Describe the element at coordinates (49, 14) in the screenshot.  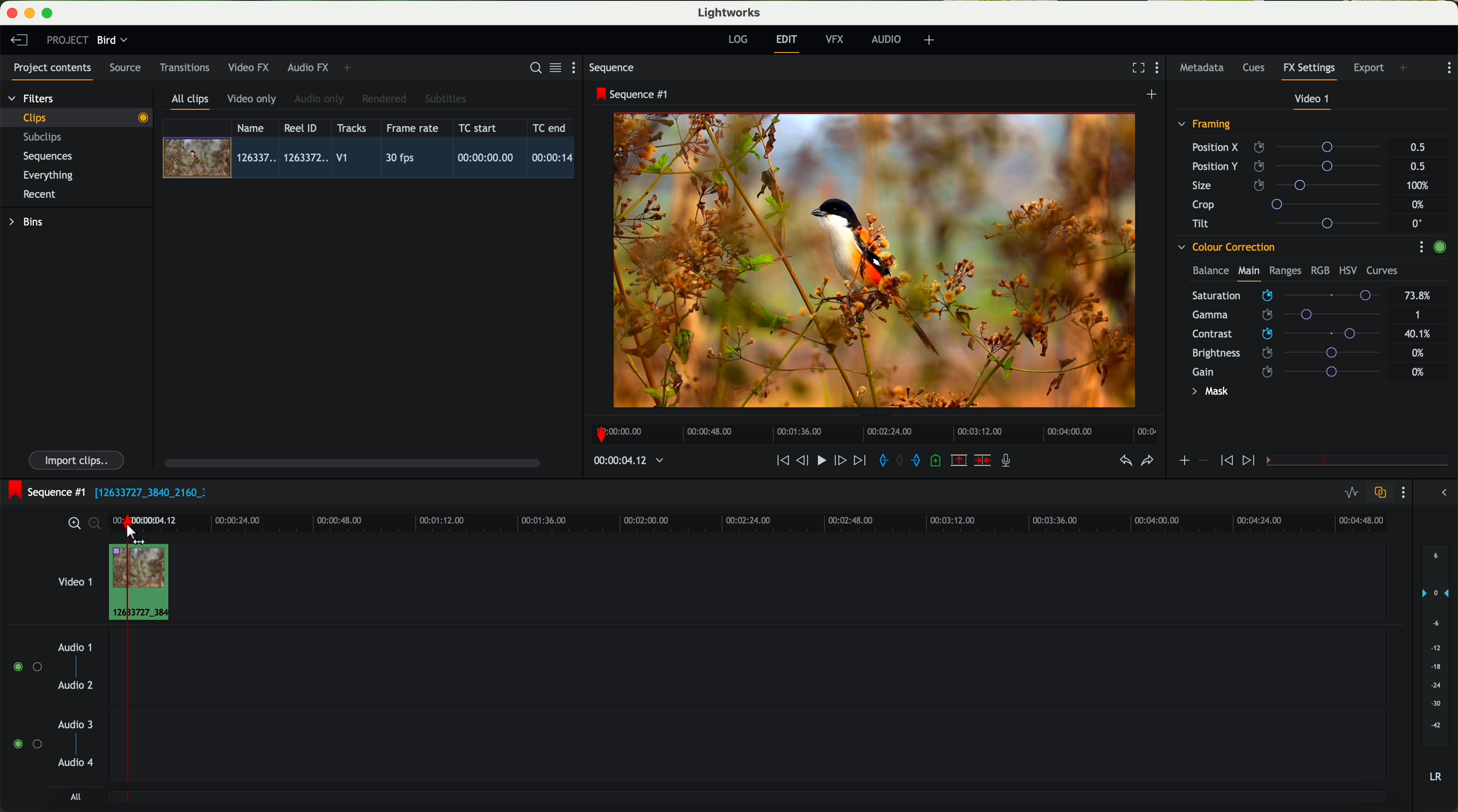
I see `maximize program` at that location.